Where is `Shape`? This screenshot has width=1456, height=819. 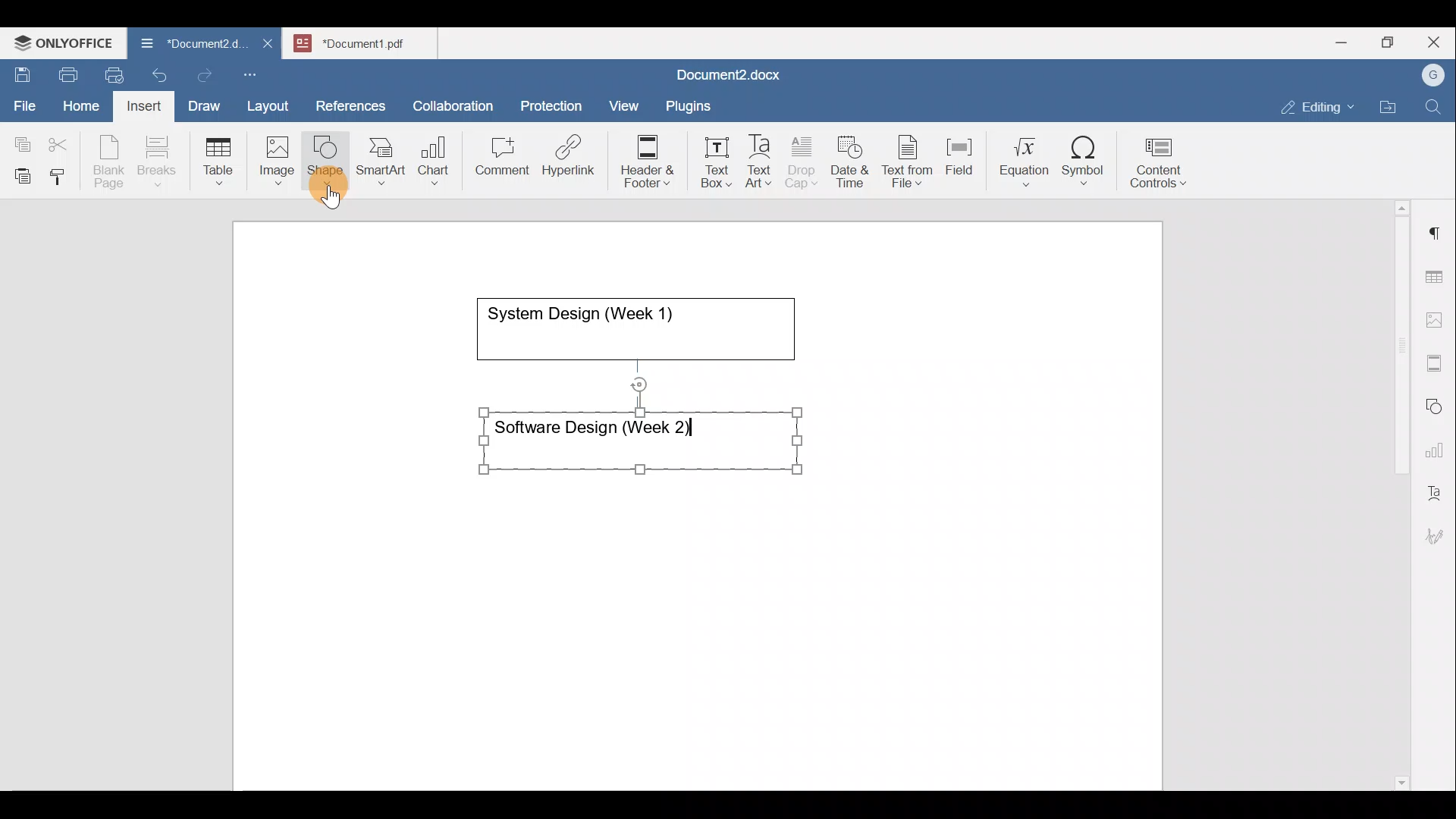 Shape is located at coordinates (327, 153).